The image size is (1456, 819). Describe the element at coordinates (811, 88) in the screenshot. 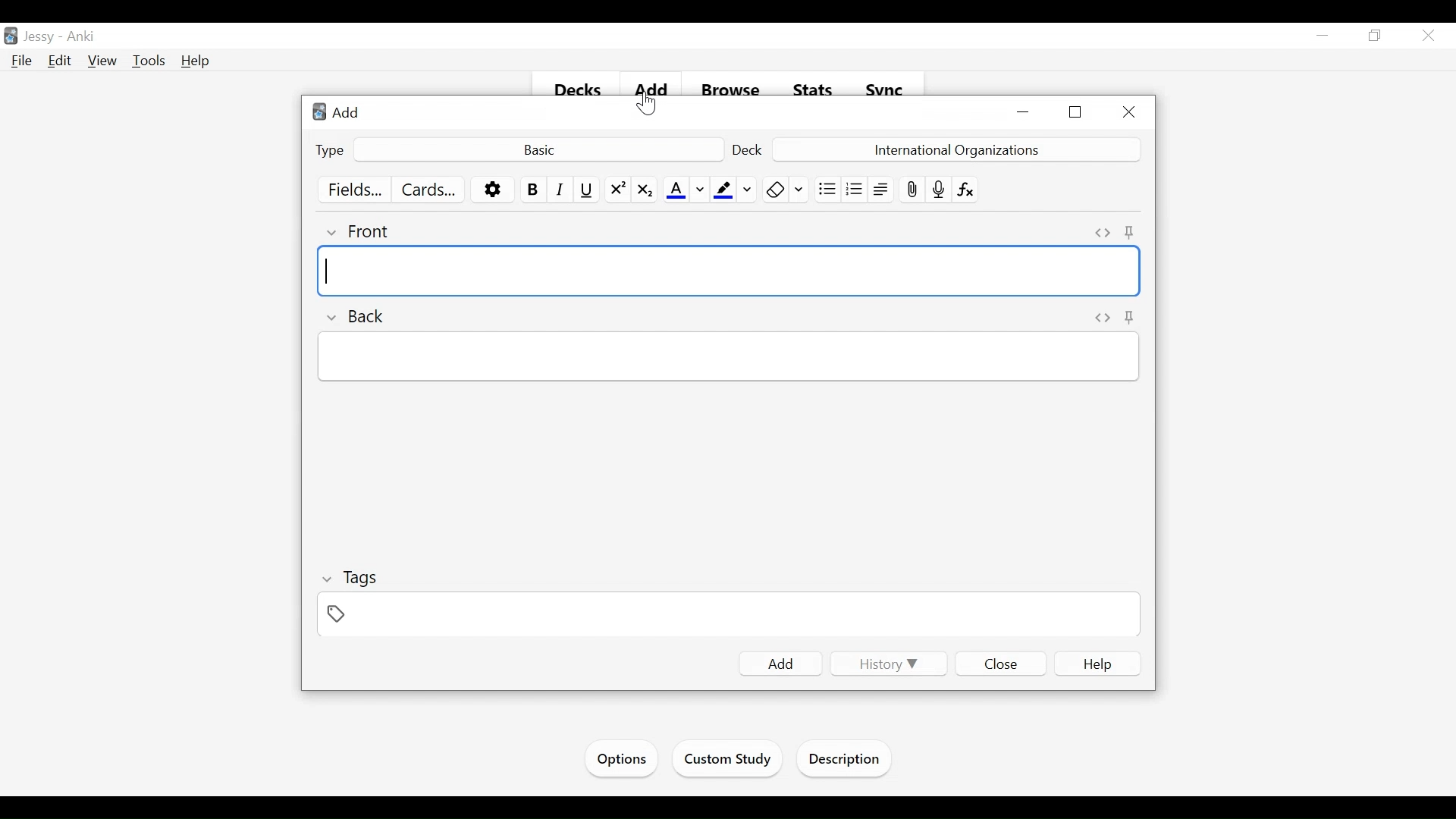

I see `Stats` at that location.